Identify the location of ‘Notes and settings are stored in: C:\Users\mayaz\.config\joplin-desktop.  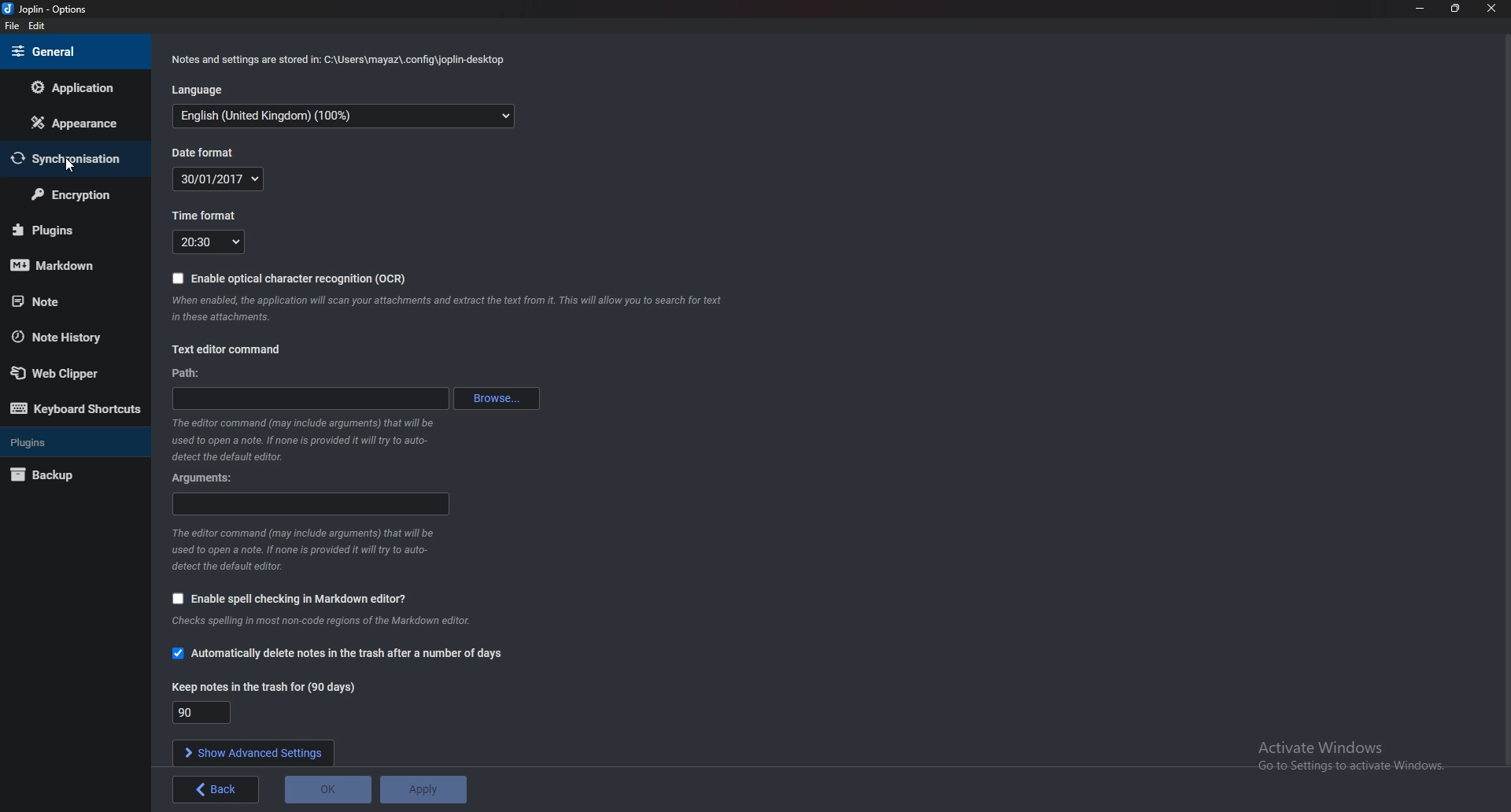
(337, 60).